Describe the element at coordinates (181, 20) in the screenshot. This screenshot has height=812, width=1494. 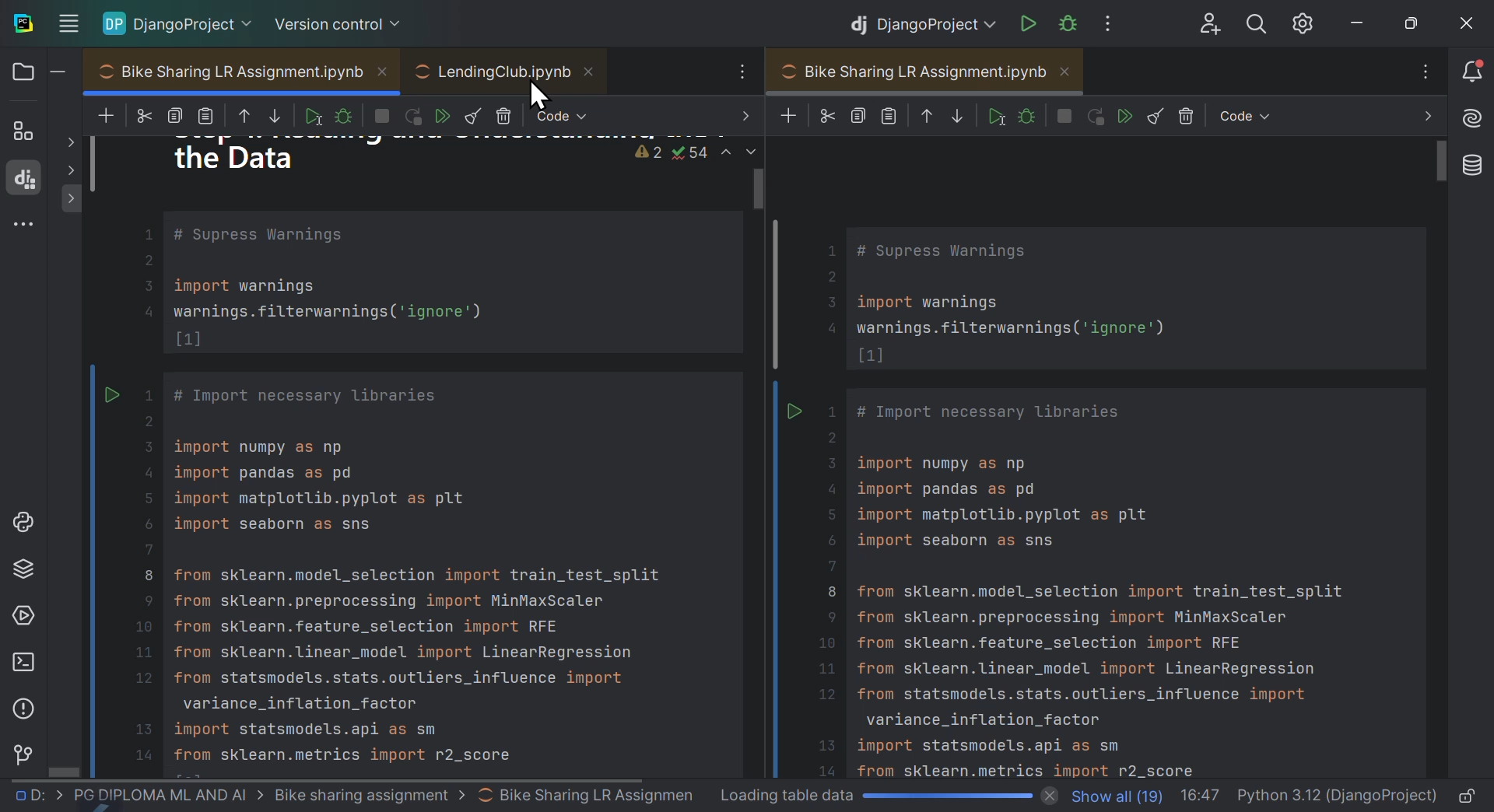
I see `Django project` at that location.